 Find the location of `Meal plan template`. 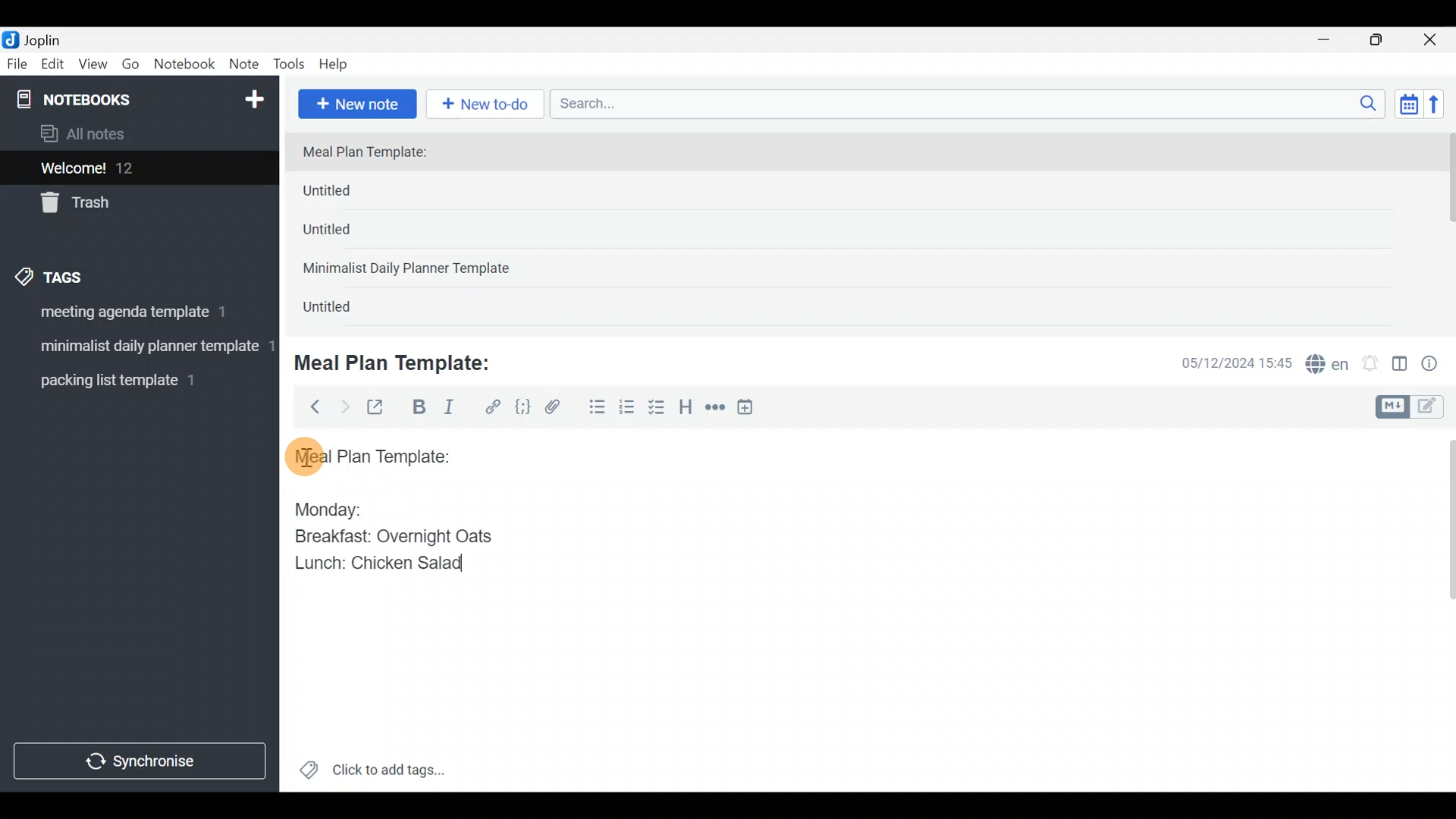

Meal plan template is located at coordinates (367, 454).